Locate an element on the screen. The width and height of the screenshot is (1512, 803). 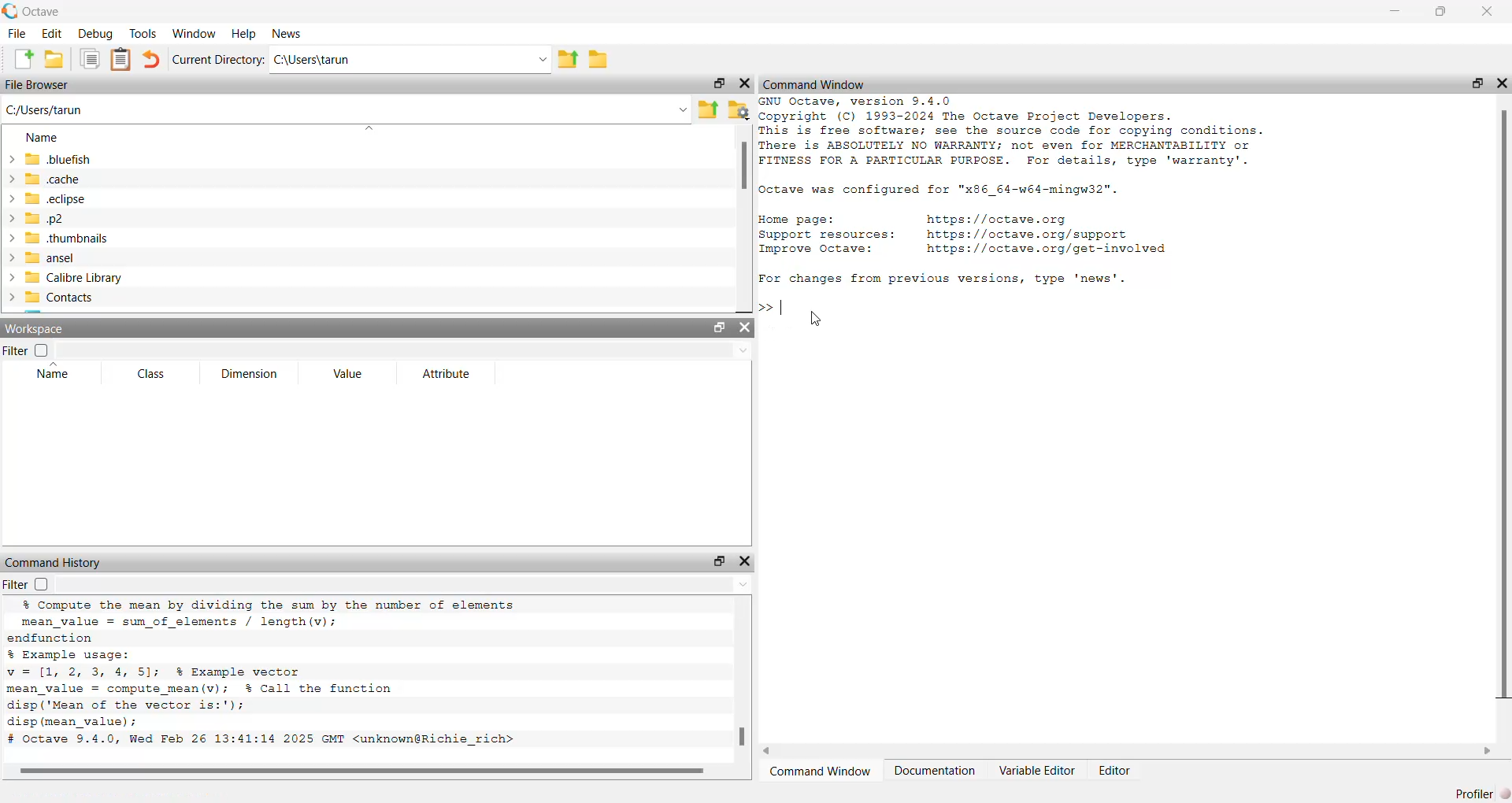
add folder is located at coordinates (54, 58).